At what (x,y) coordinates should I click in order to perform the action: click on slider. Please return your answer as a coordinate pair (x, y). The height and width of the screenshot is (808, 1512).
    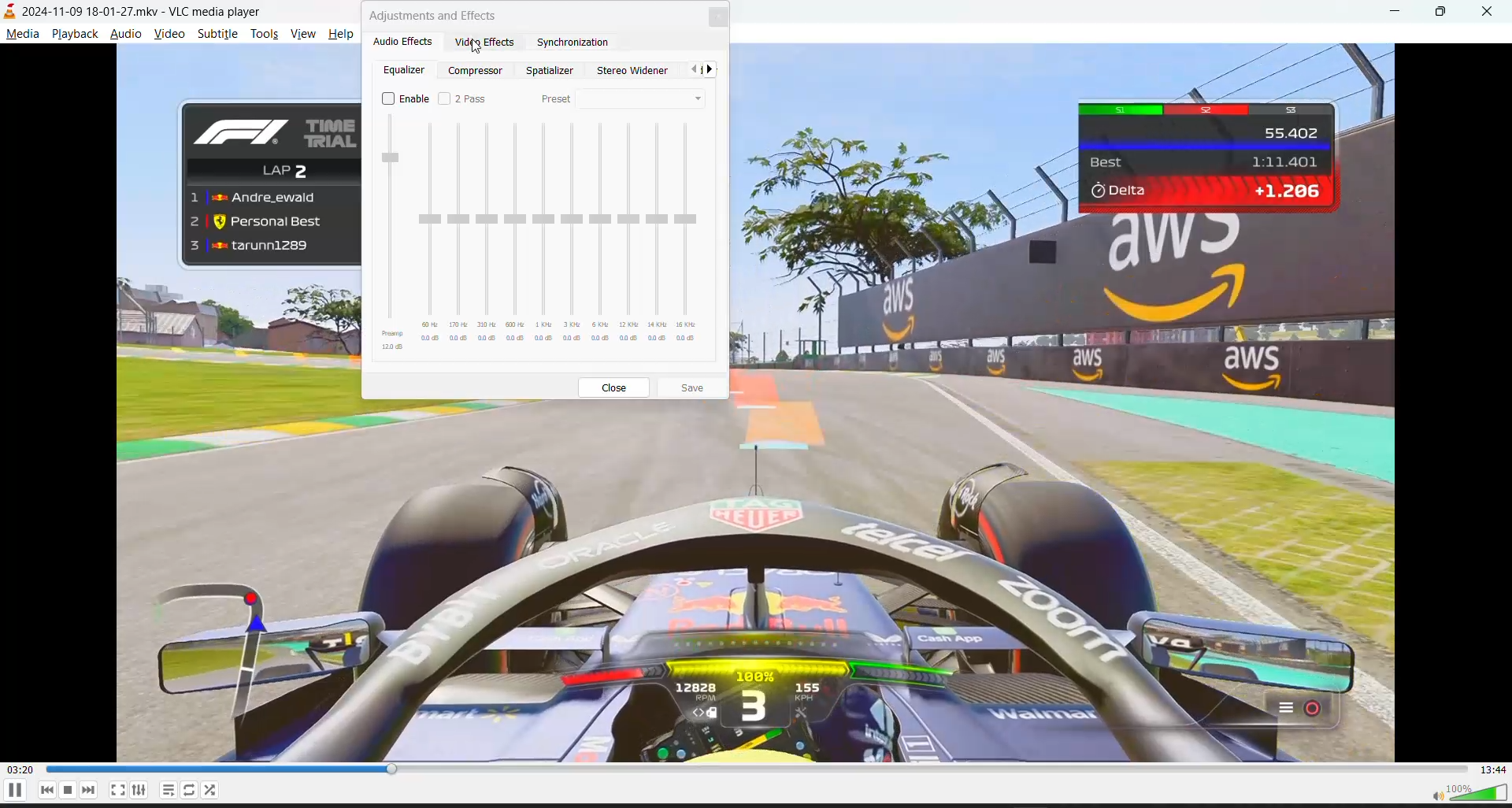
    Looking at the image, I should click on (392, 234).